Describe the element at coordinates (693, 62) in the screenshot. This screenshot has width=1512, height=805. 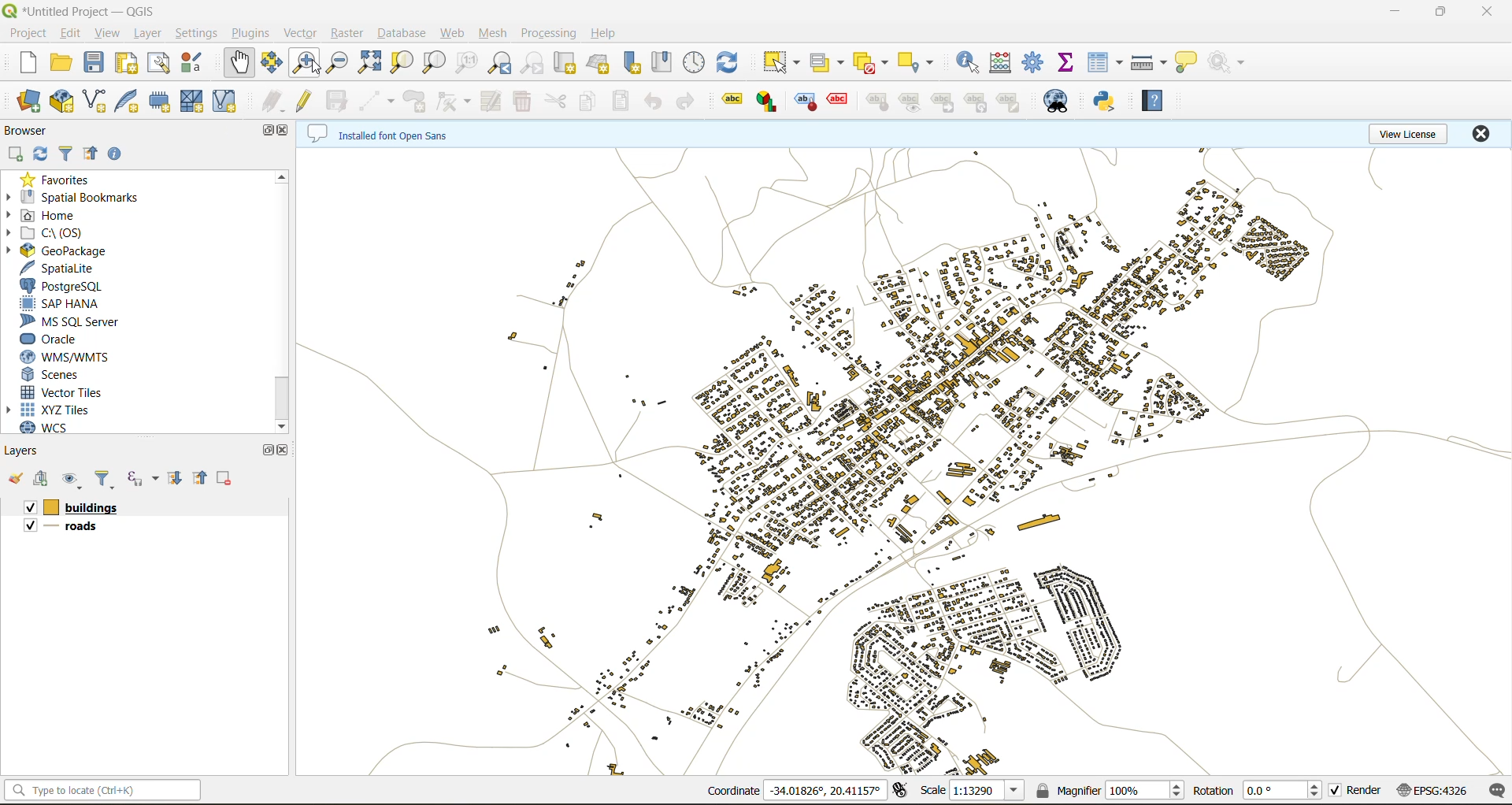
I see `control bookmark` at that location.